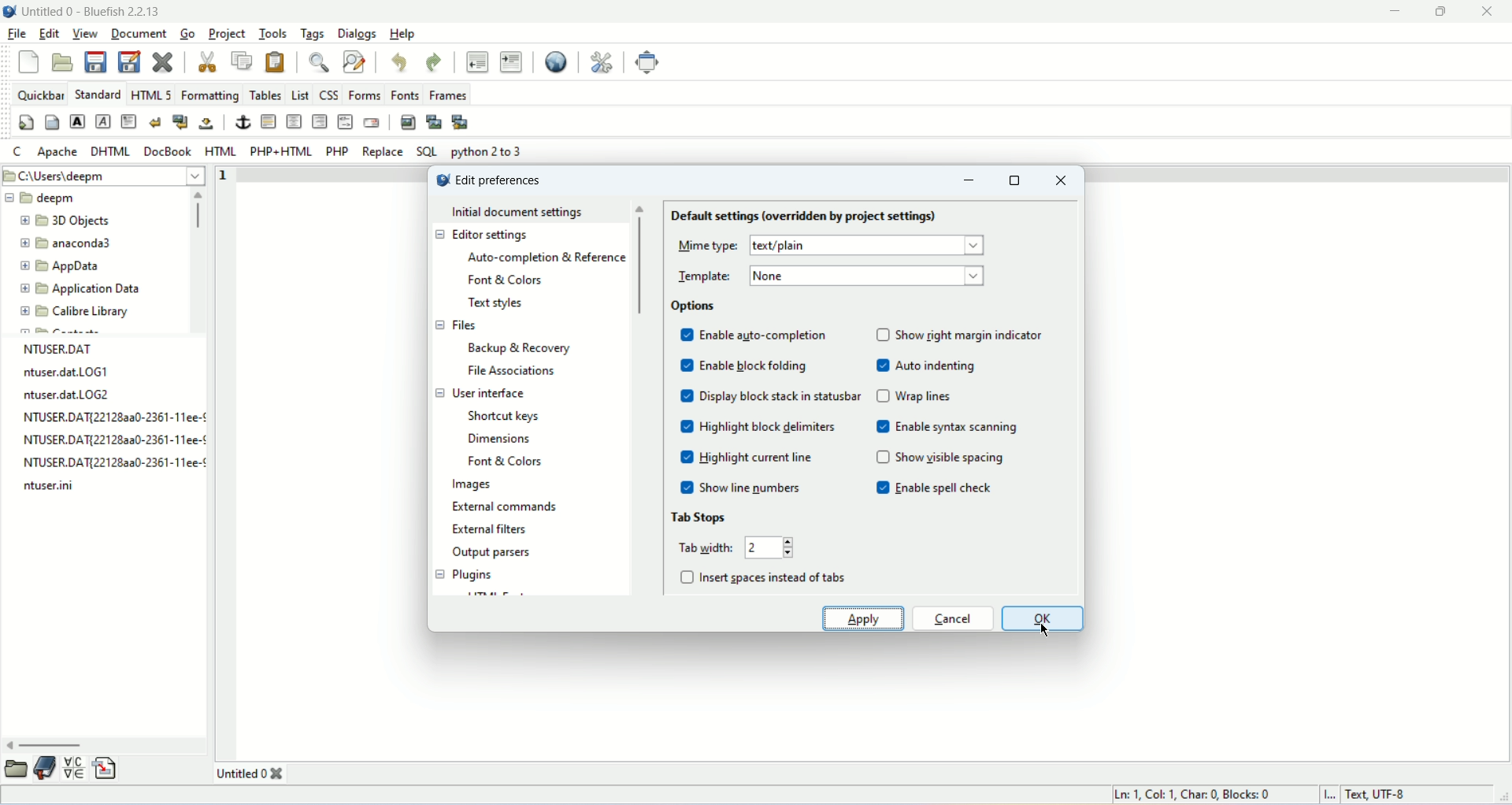 The image size is (1512, 805). I want to click on python 2 to 3, so click(491, 153).